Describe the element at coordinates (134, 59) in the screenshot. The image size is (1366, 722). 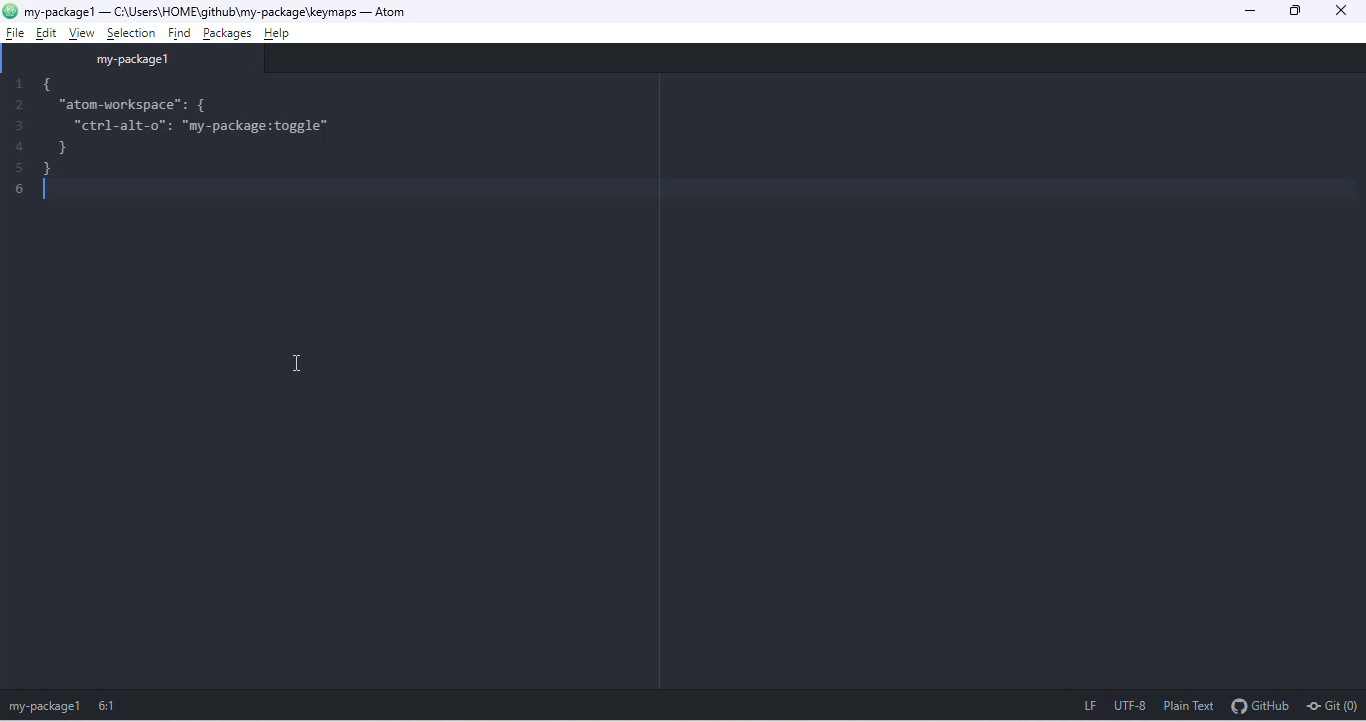
I see `my package 1 tab` at that location.